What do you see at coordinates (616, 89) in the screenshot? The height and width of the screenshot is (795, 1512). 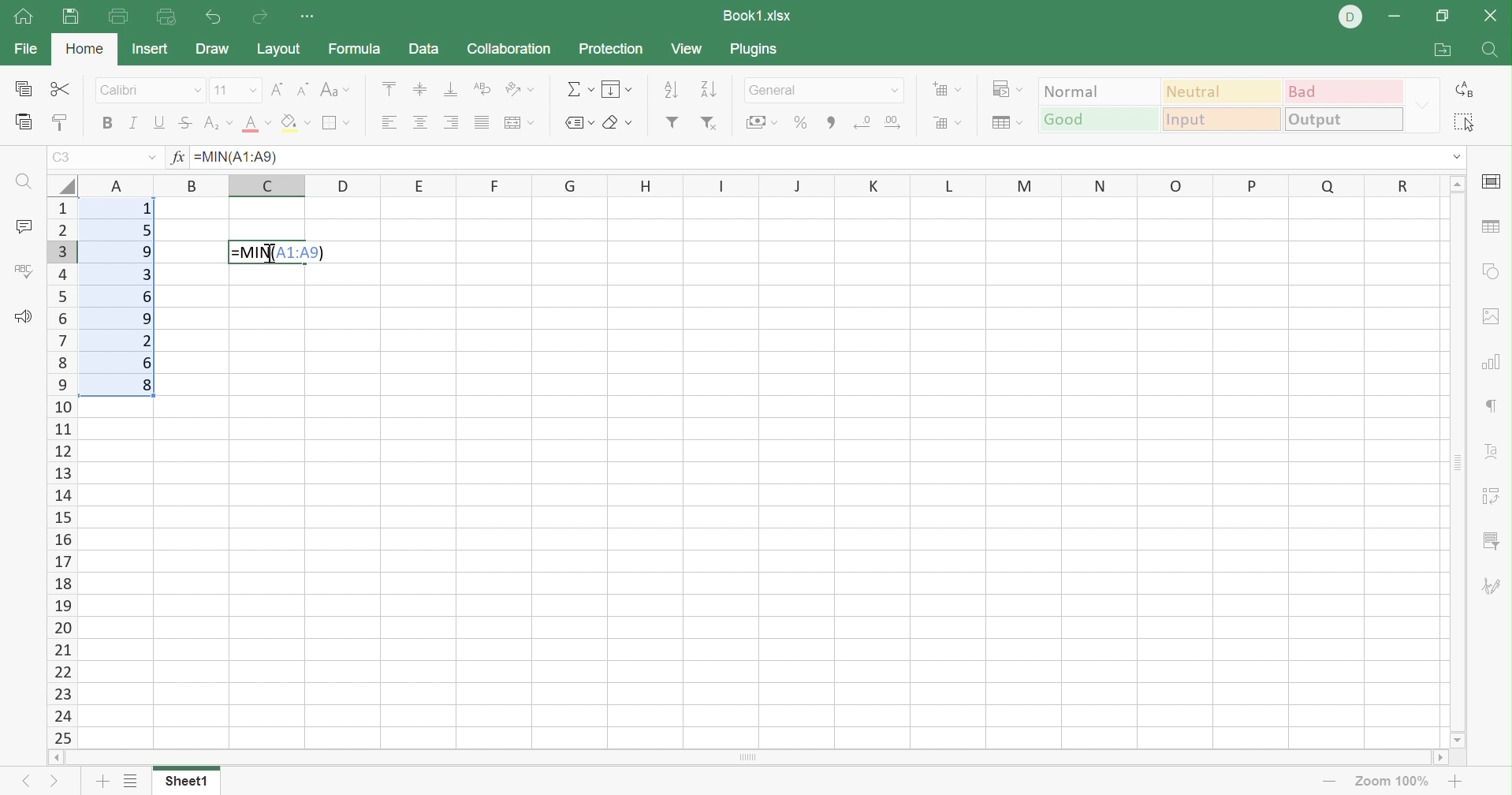 I see `Fill` at bounding box center [616, 89].